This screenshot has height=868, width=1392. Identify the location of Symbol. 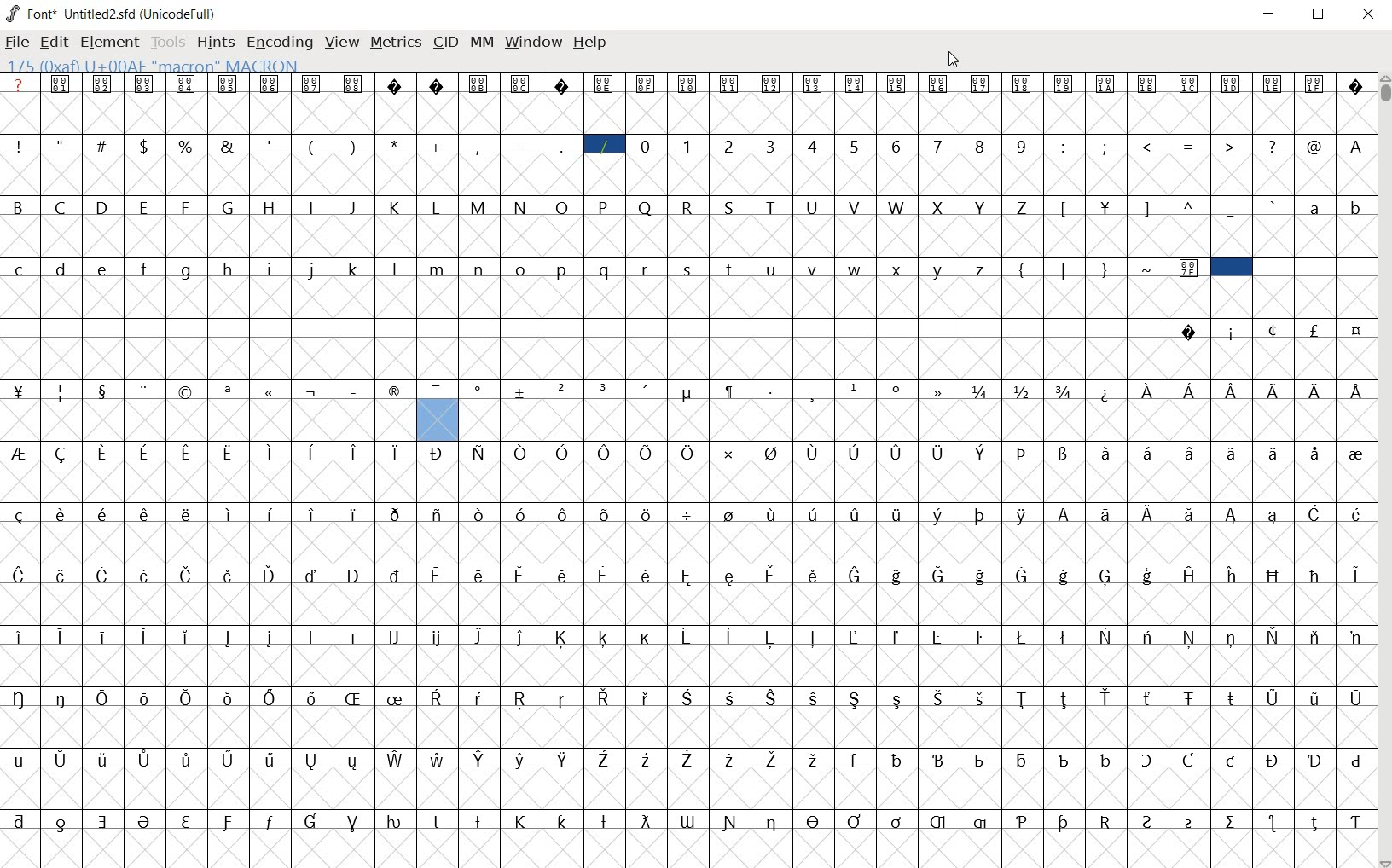
(1354, 512).